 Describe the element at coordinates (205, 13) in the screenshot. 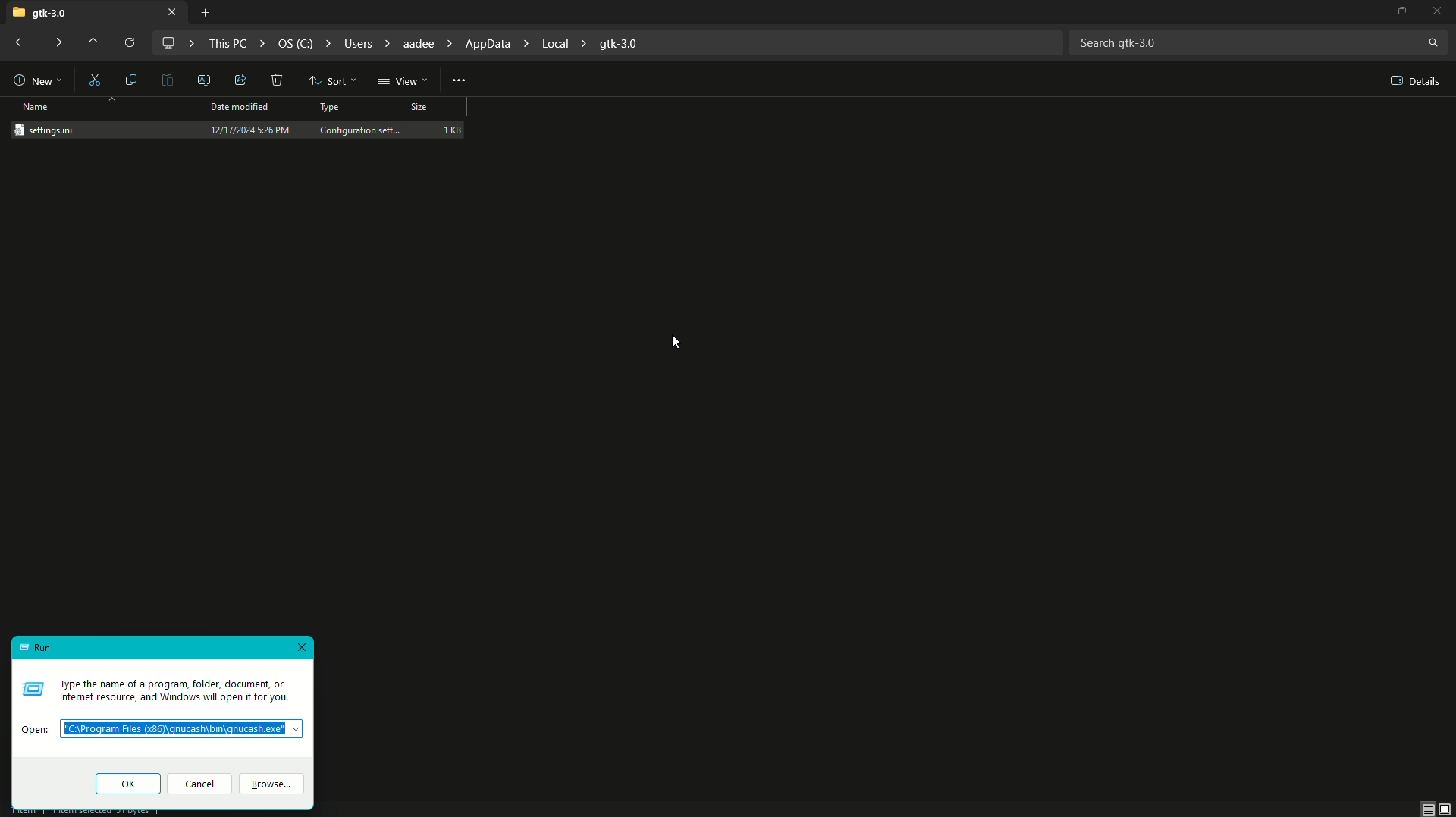

I see `New tab` at that location.